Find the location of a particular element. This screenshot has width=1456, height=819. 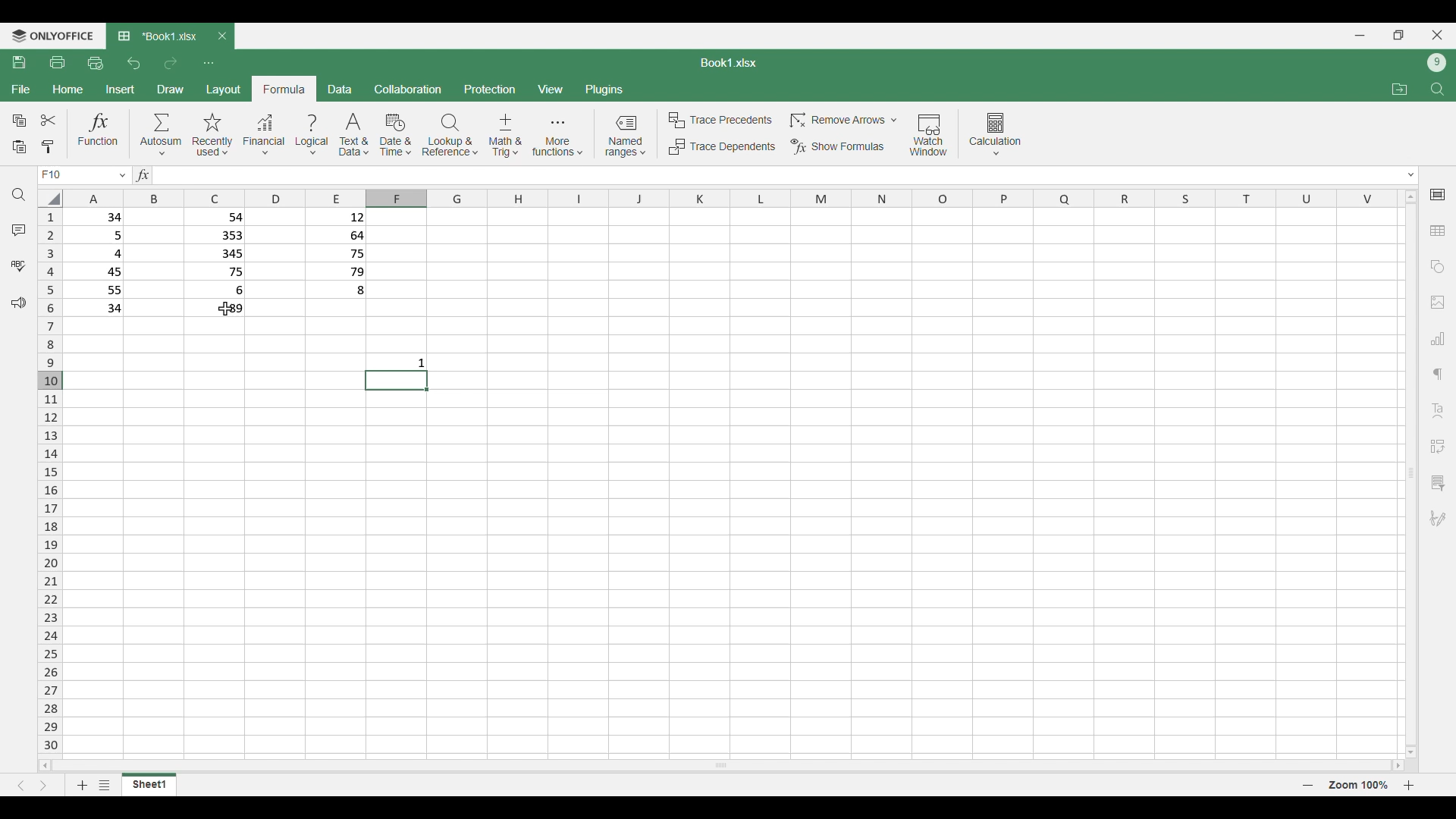

More functions is located at coordinates (557, 136).